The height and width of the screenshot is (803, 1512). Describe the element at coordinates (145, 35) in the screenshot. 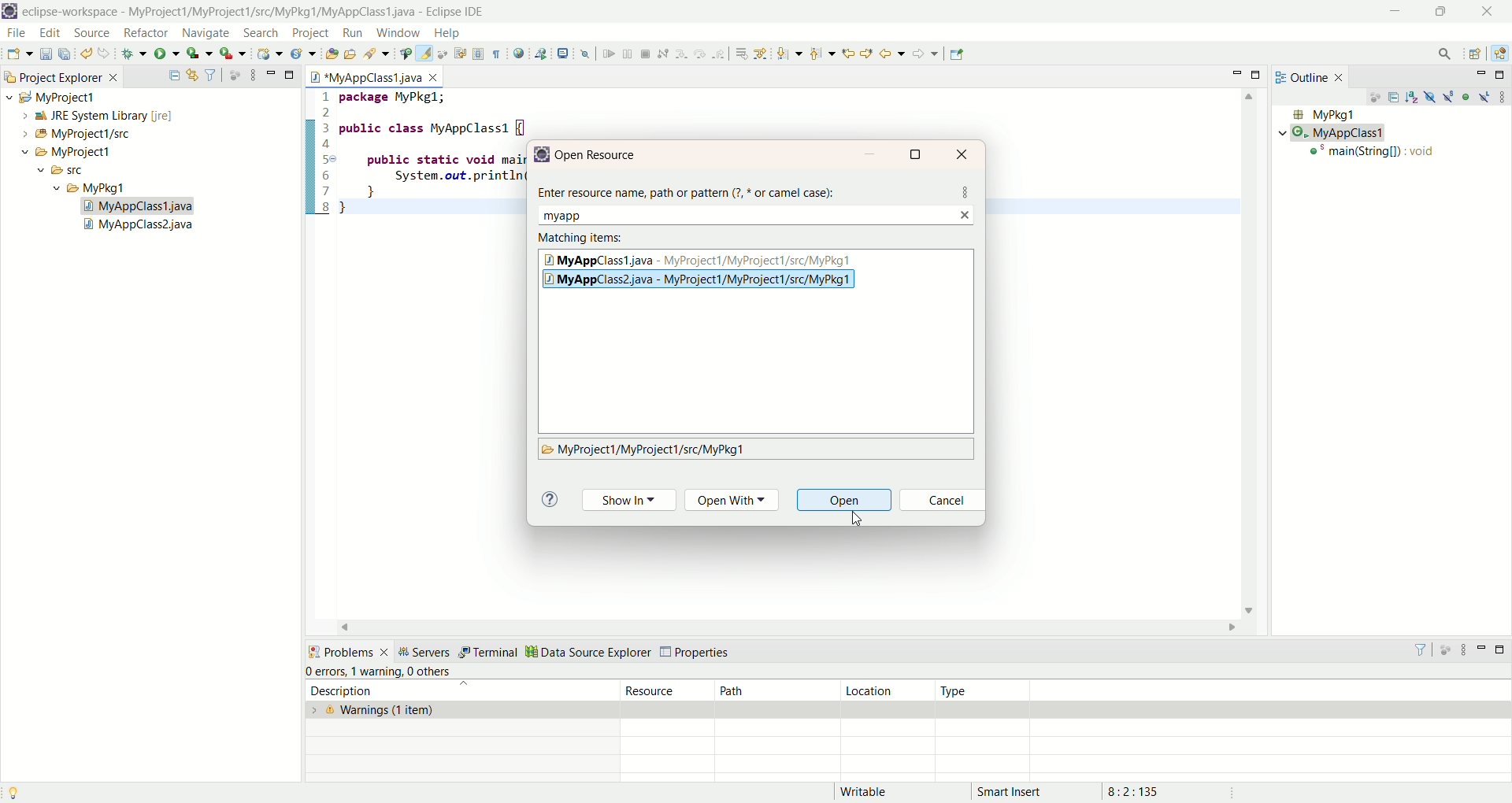

I see `refactor` at that location.